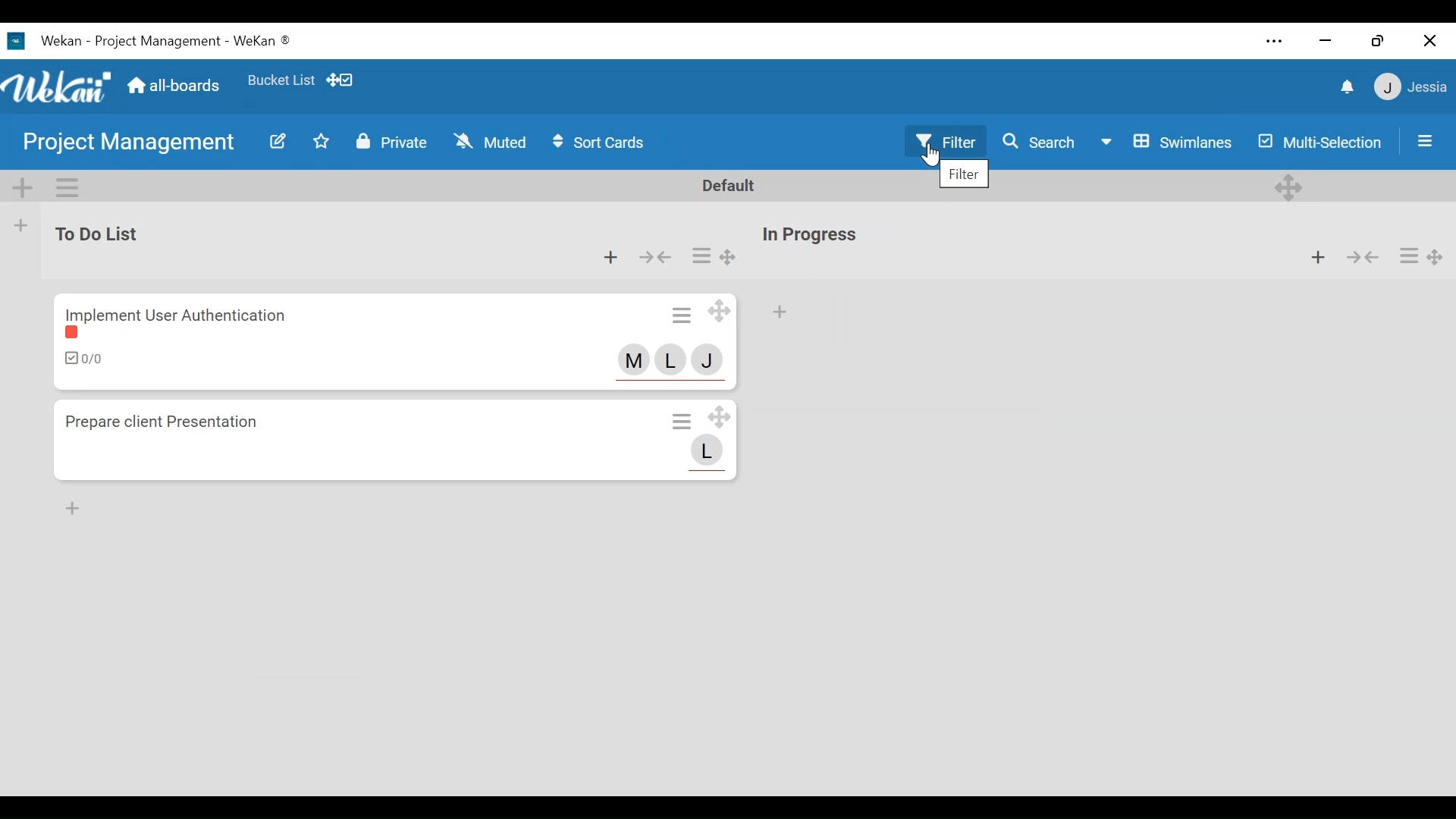 The width and height of the screenshot is (1456, 819). What do you see at coordinates (678, 316) in the screenshot?
I see `Card actions` at bounding box center [678, 316].